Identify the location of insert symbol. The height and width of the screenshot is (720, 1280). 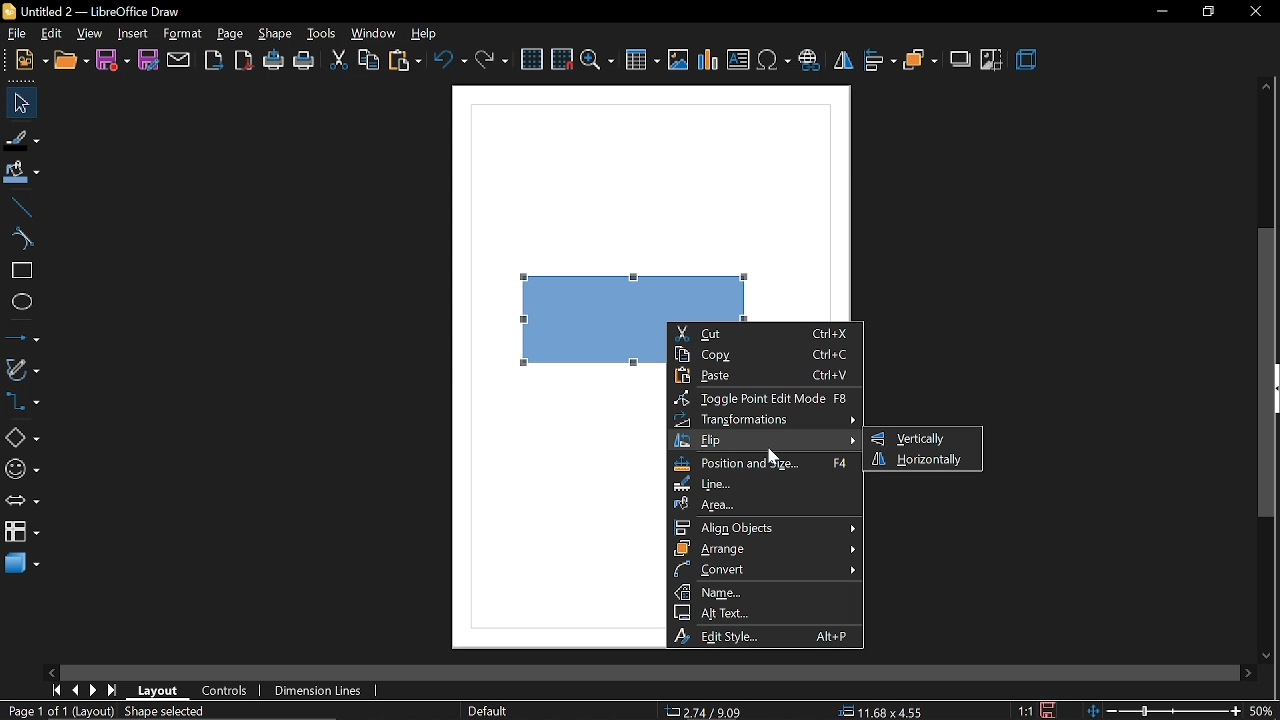
(773, 61).